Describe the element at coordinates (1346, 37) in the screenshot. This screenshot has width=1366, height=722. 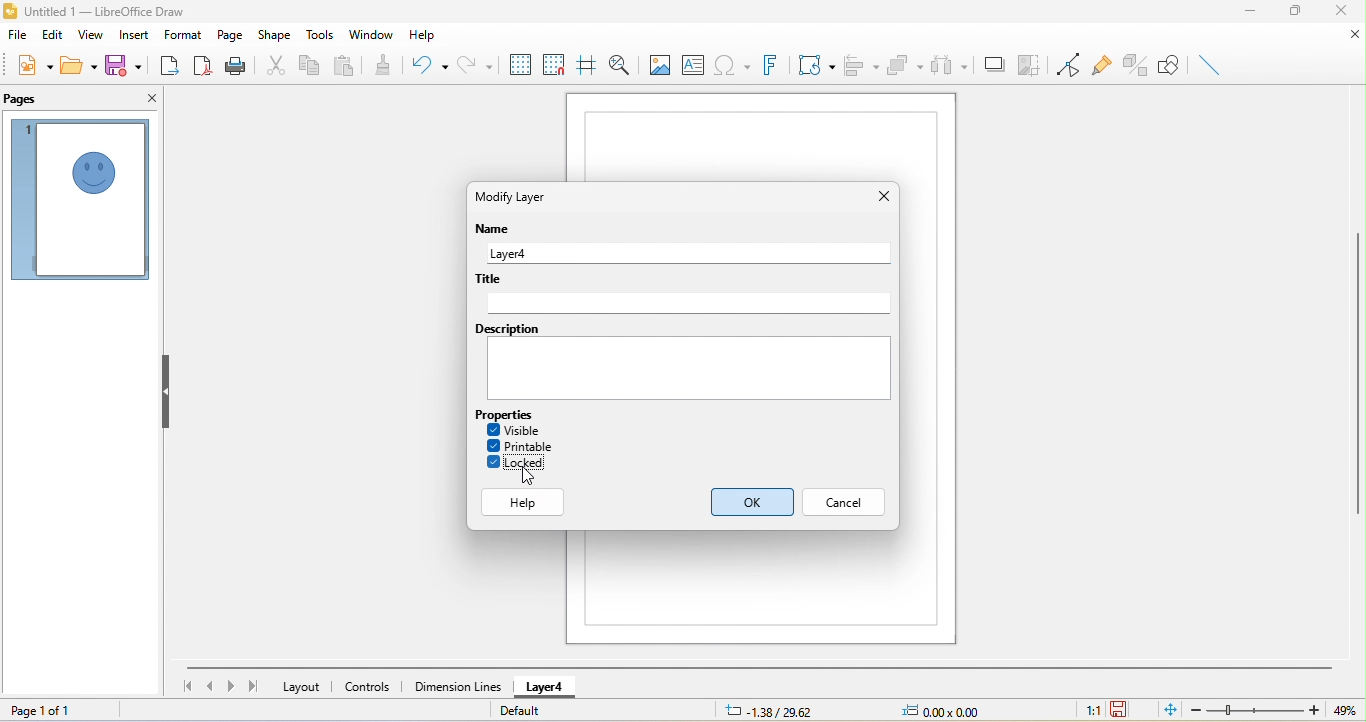
I see `close` at that location.